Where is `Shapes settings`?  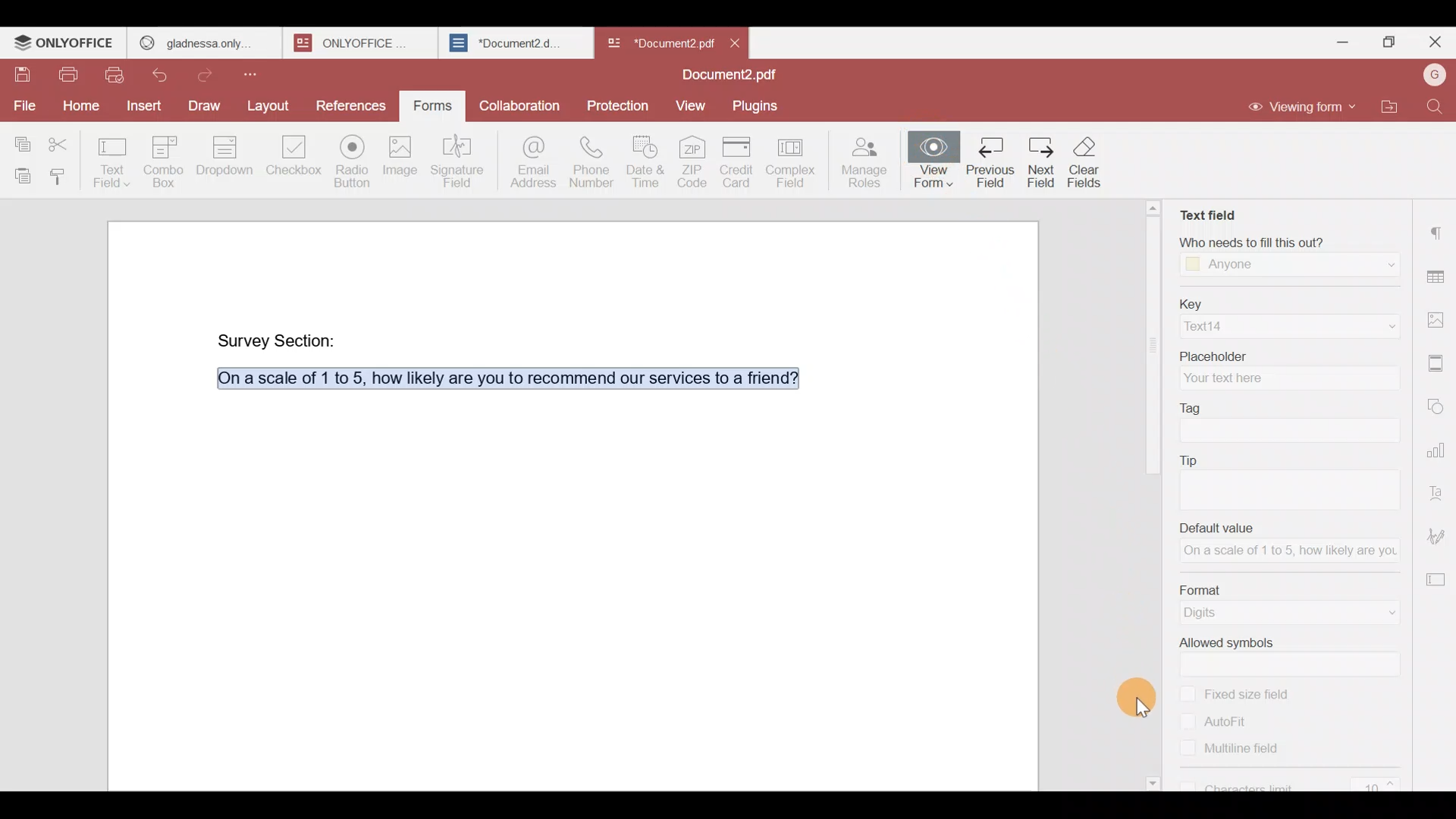
Shapes settings is located at coordinates (1439, 406).